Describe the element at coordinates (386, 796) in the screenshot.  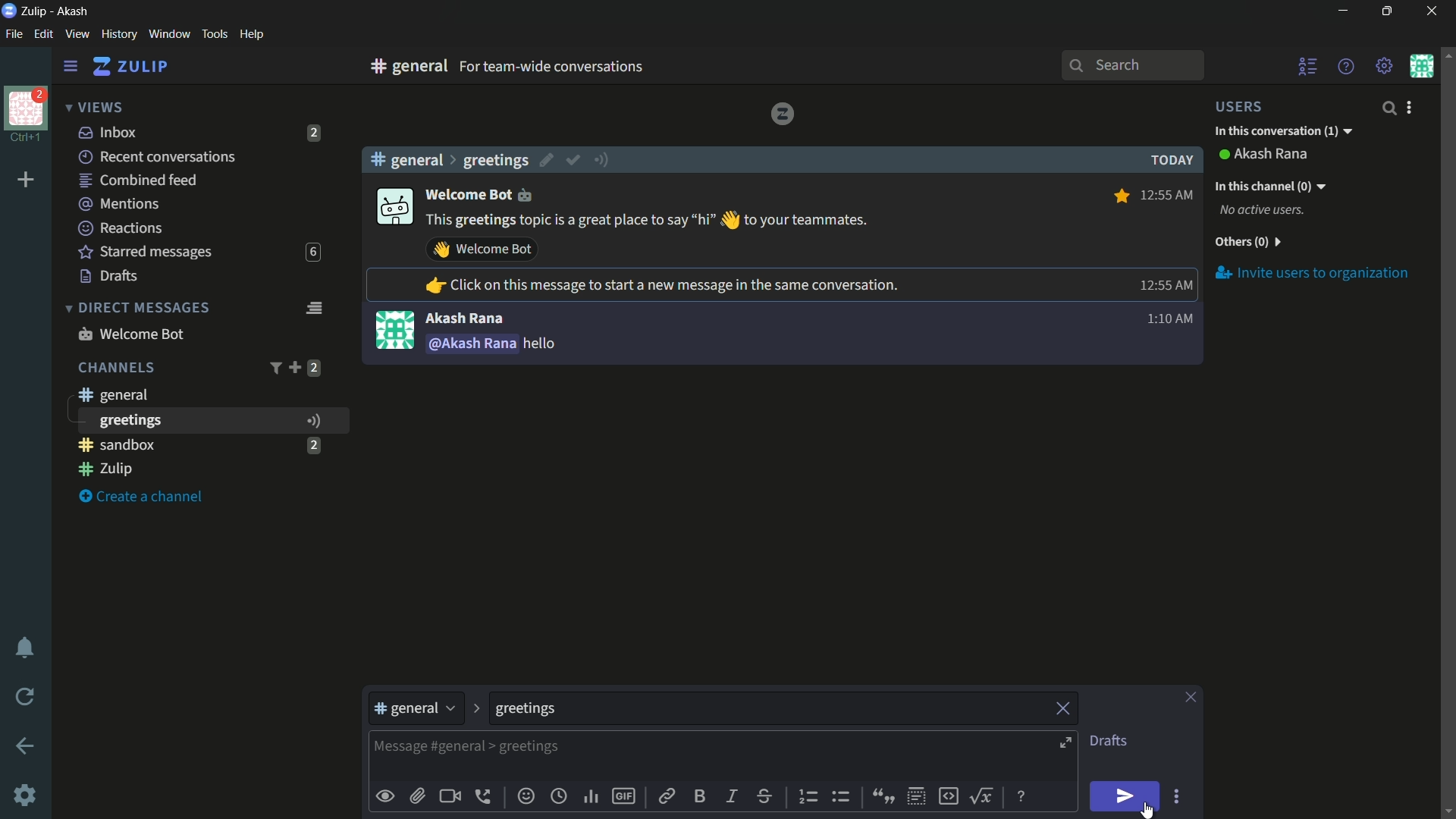
I see `` at that location.